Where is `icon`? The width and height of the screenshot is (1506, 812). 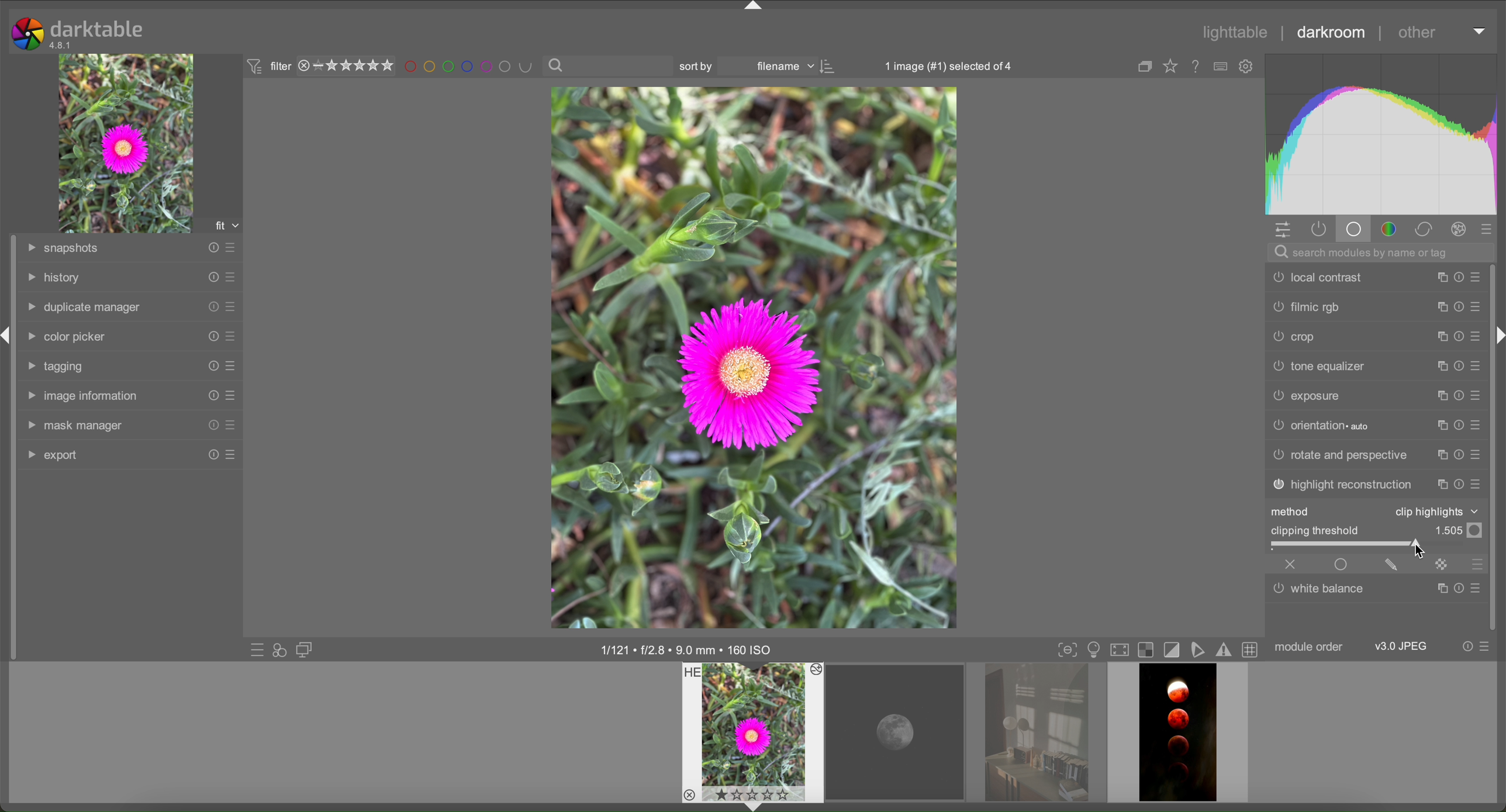
icon is located at coordinates (830, 67).